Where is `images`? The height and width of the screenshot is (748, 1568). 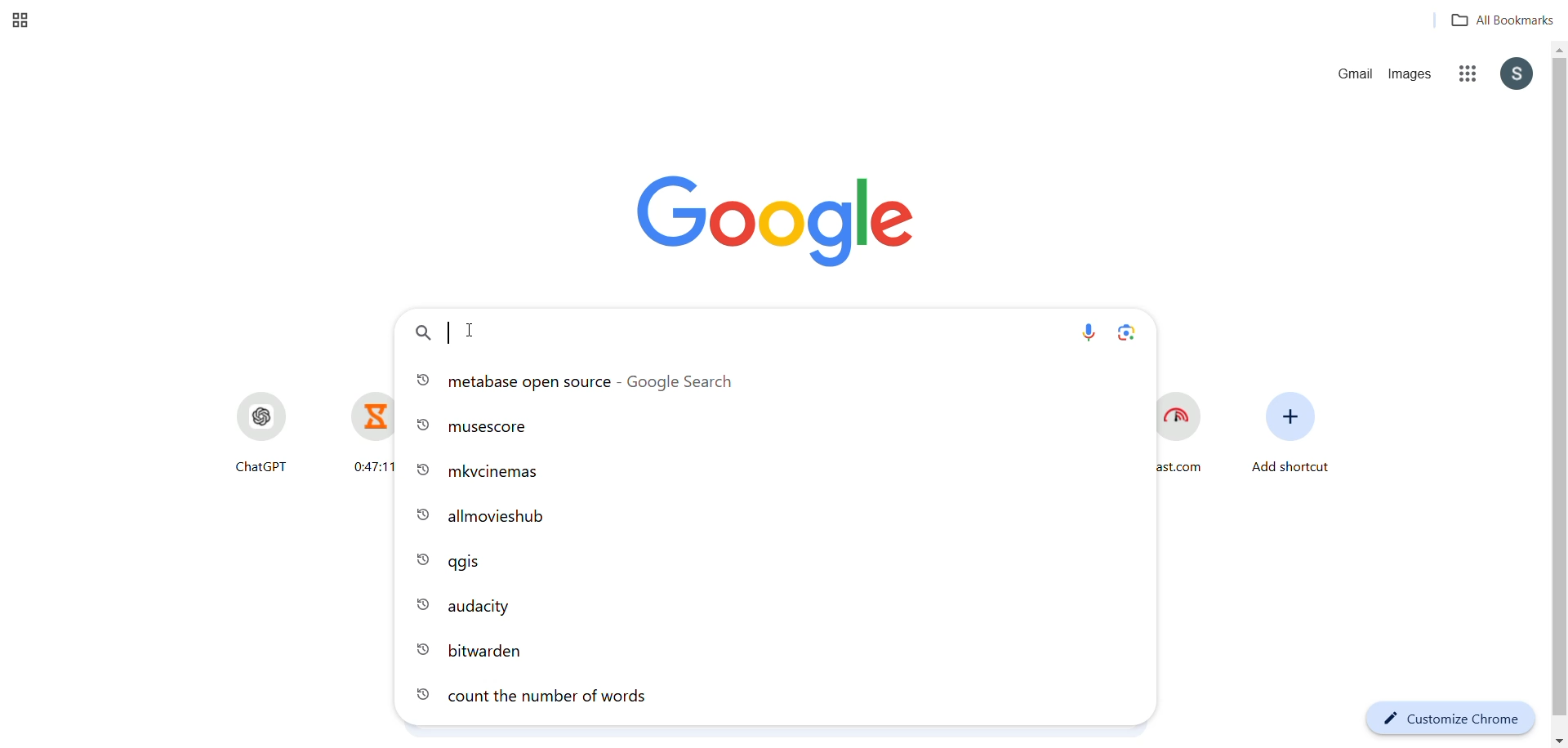
images is located at coordinates (1414, 75).